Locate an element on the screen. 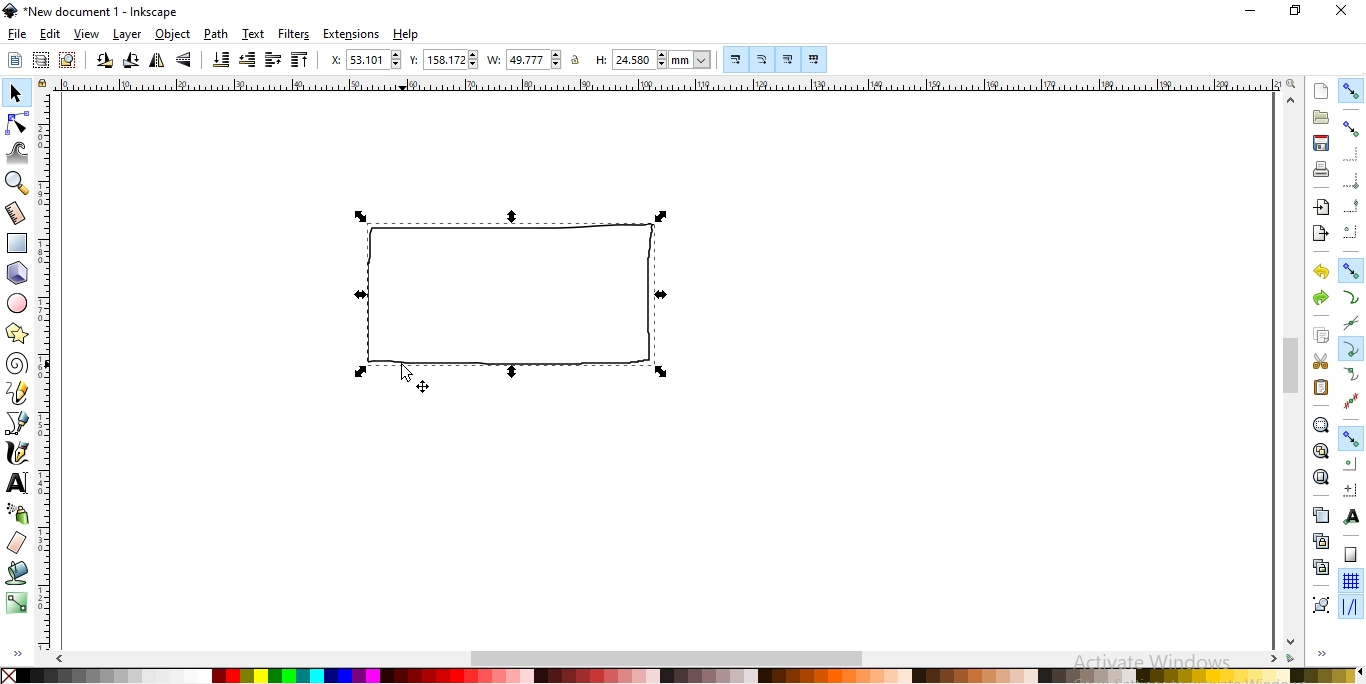 This screenshot has height=684, width=1366. width of selection is located at coordinates (526, 59).